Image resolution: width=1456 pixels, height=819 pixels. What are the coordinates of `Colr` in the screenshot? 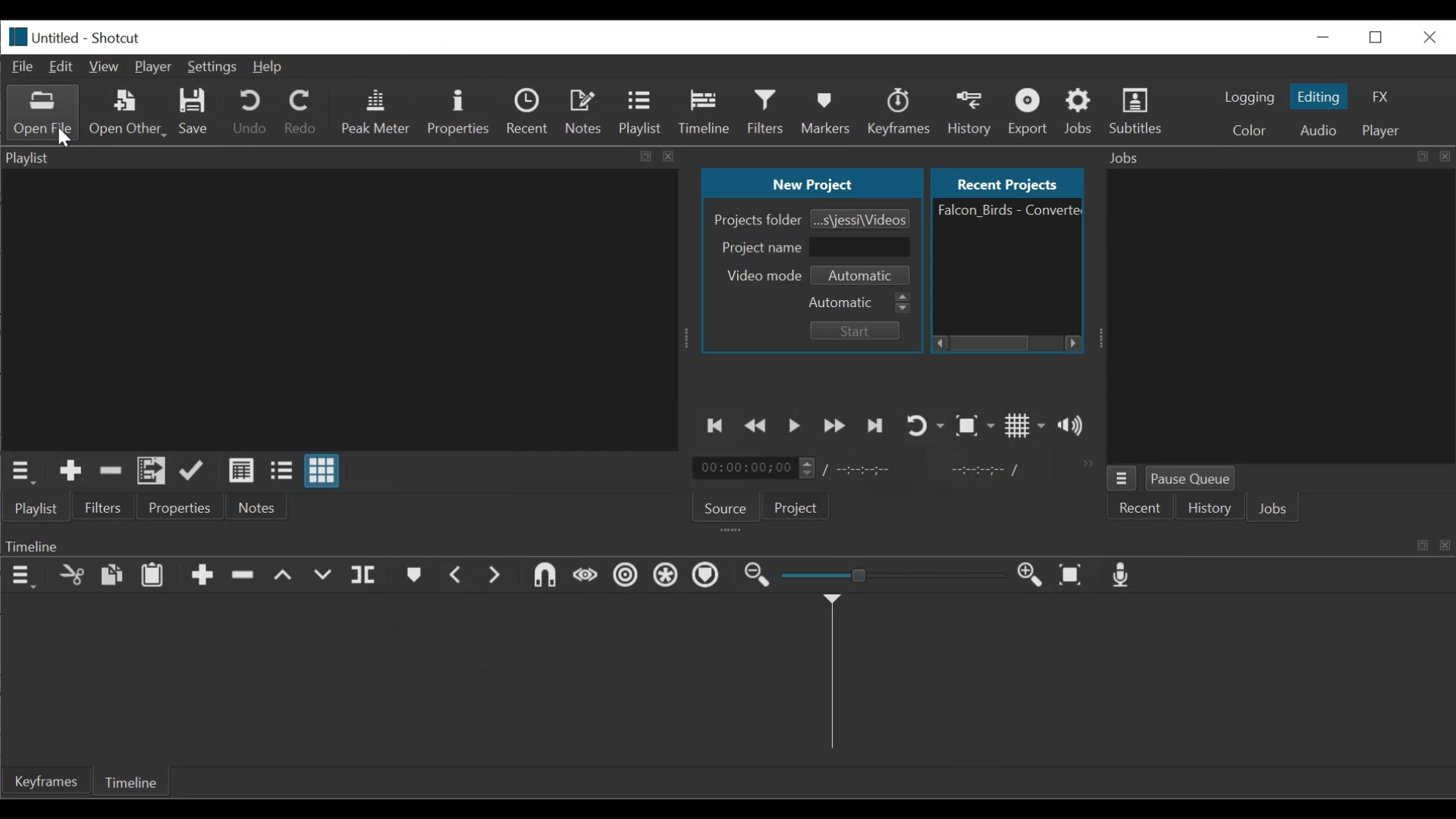 It's located at (1250, 129).